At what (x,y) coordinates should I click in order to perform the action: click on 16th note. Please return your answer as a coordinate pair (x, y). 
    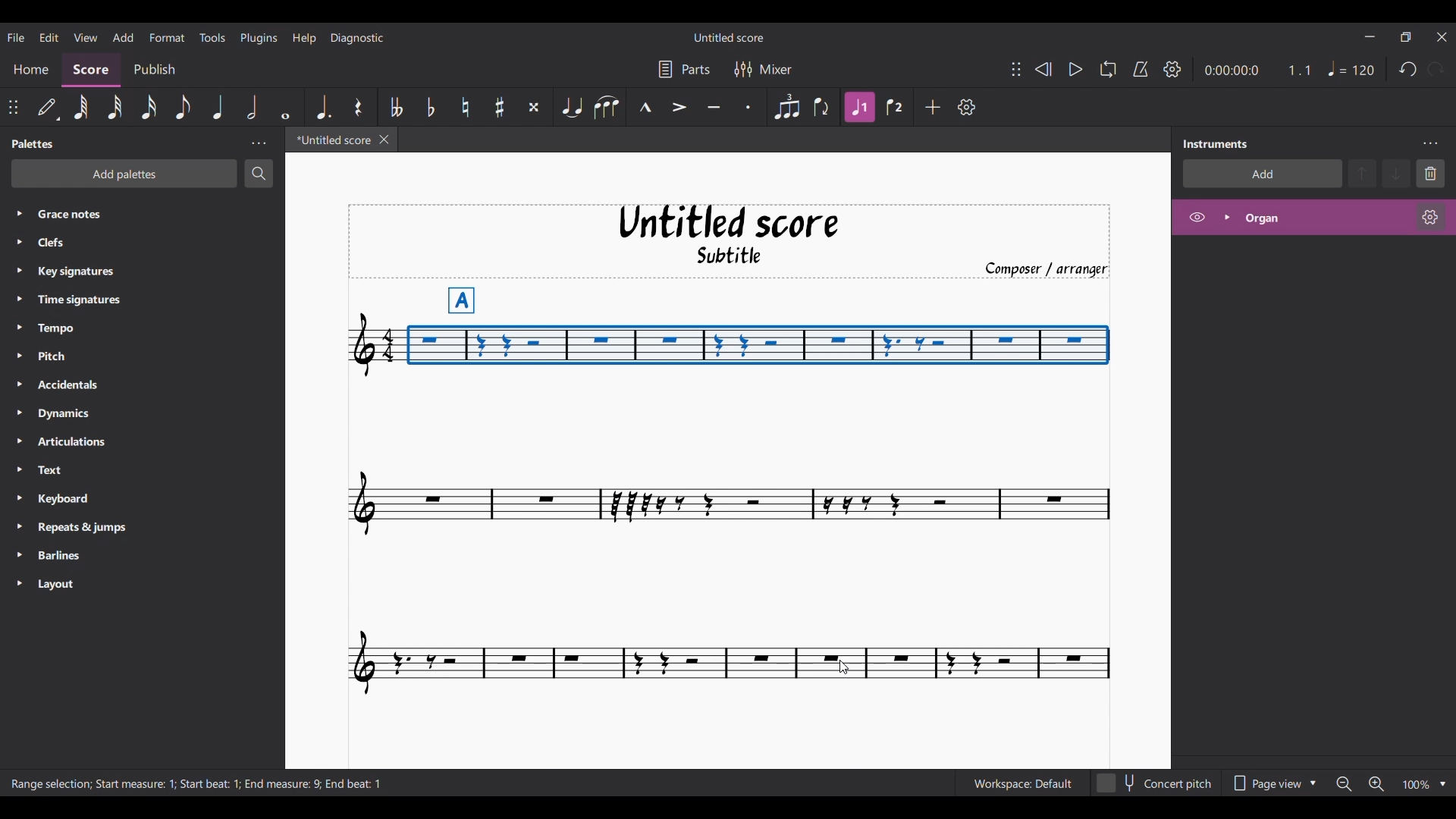
    Looking at the image, I should click on (149, 106).